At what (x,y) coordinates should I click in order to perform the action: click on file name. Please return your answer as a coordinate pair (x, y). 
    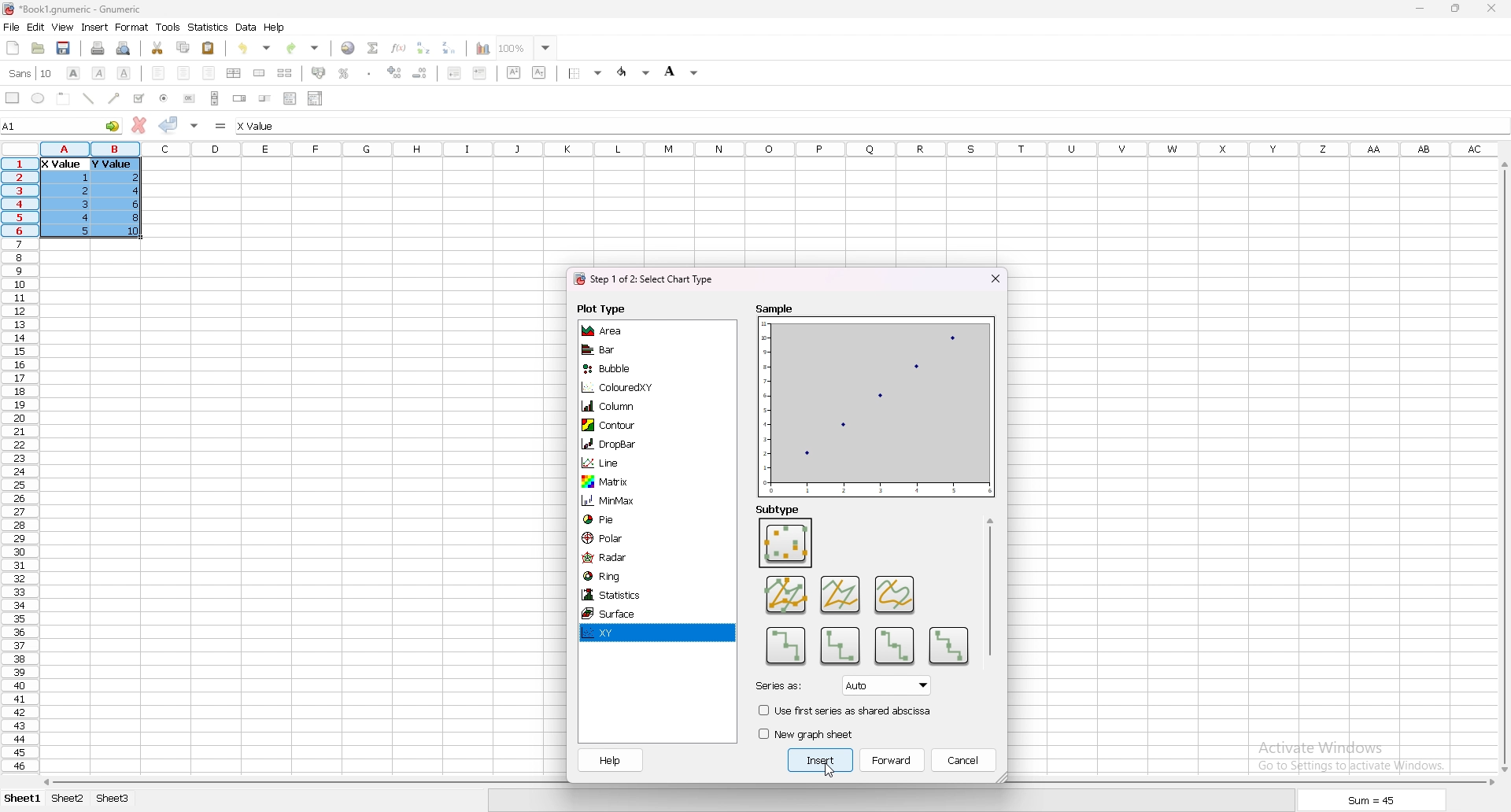
    Looking at the image, I should click on (72, 9).